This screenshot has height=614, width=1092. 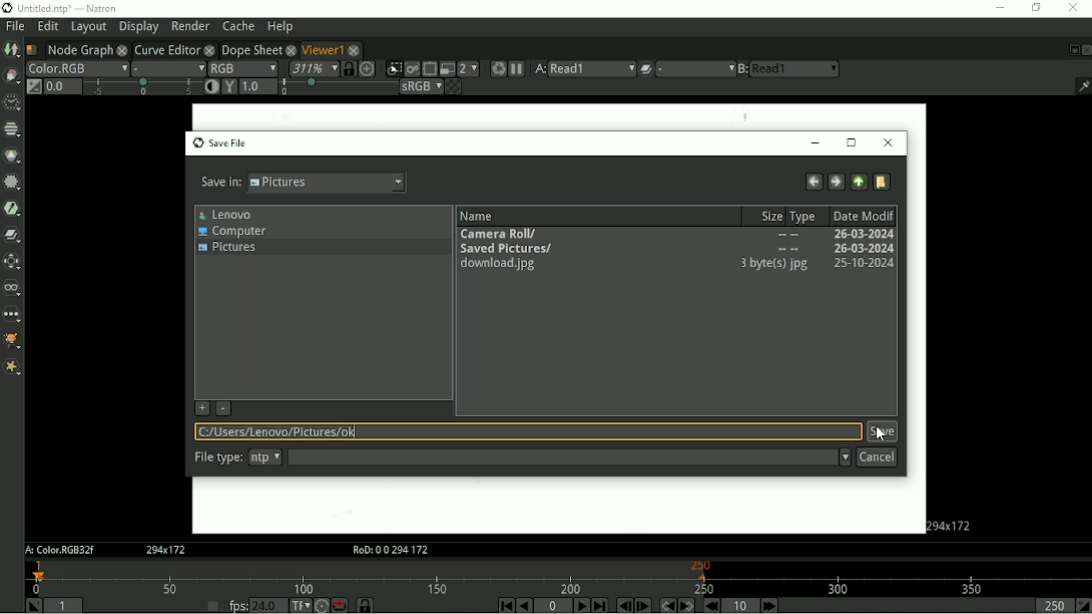 I want to click on Transform, so click(x=12, y=262).